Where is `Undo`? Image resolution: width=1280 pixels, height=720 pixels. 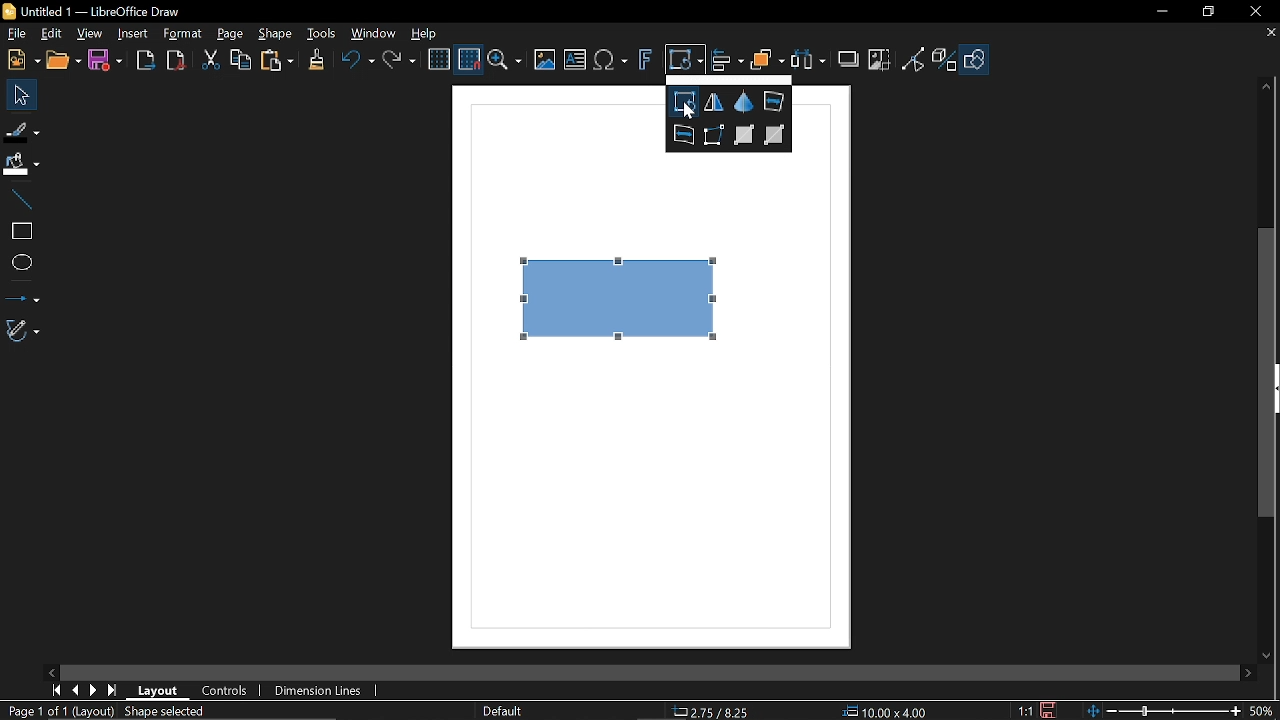
Undo is located at coordinates (355, 63).